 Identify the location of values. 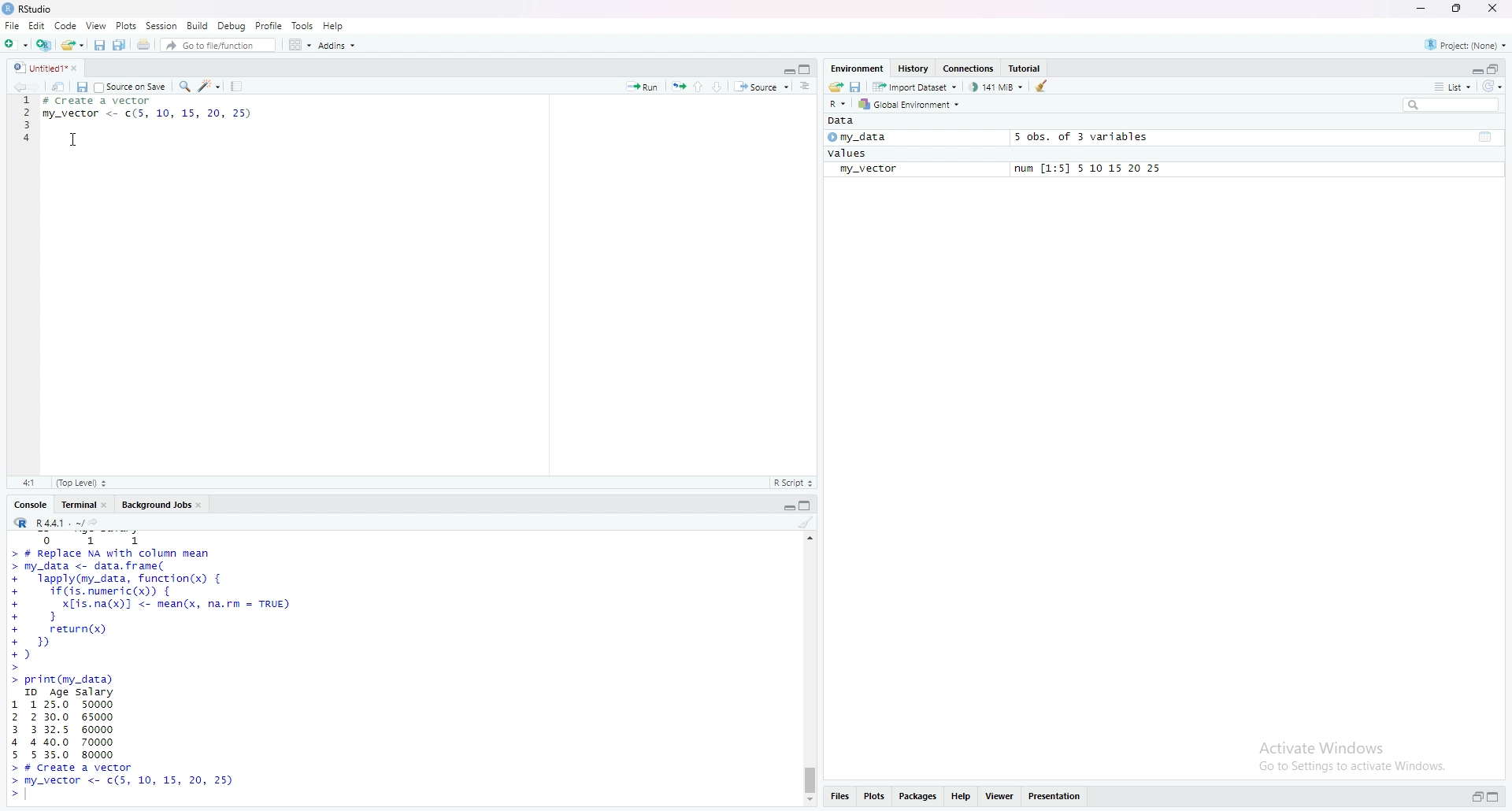
(850, 154).